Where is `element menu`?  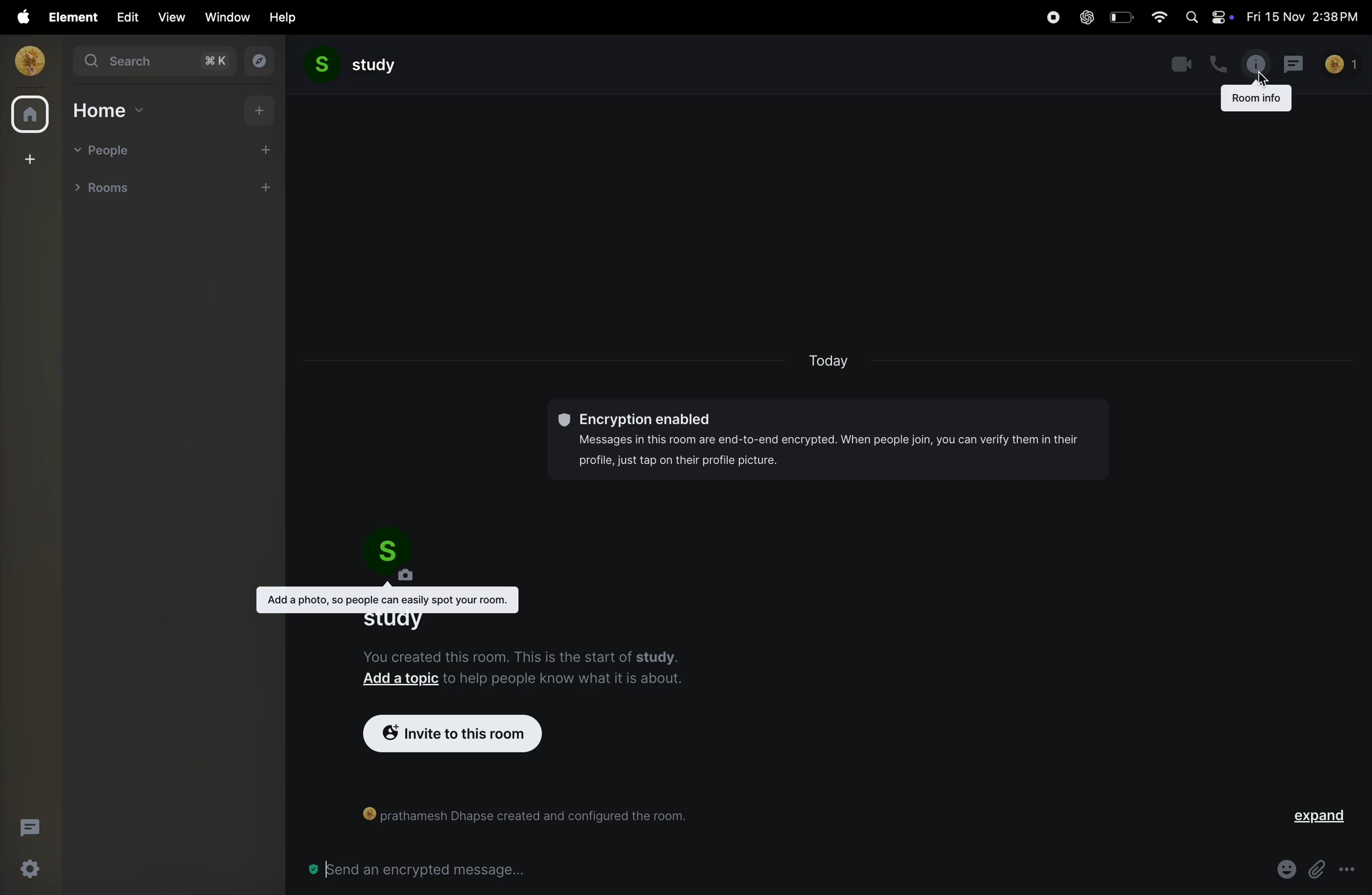 element menu is located at coordinates (70, 16).